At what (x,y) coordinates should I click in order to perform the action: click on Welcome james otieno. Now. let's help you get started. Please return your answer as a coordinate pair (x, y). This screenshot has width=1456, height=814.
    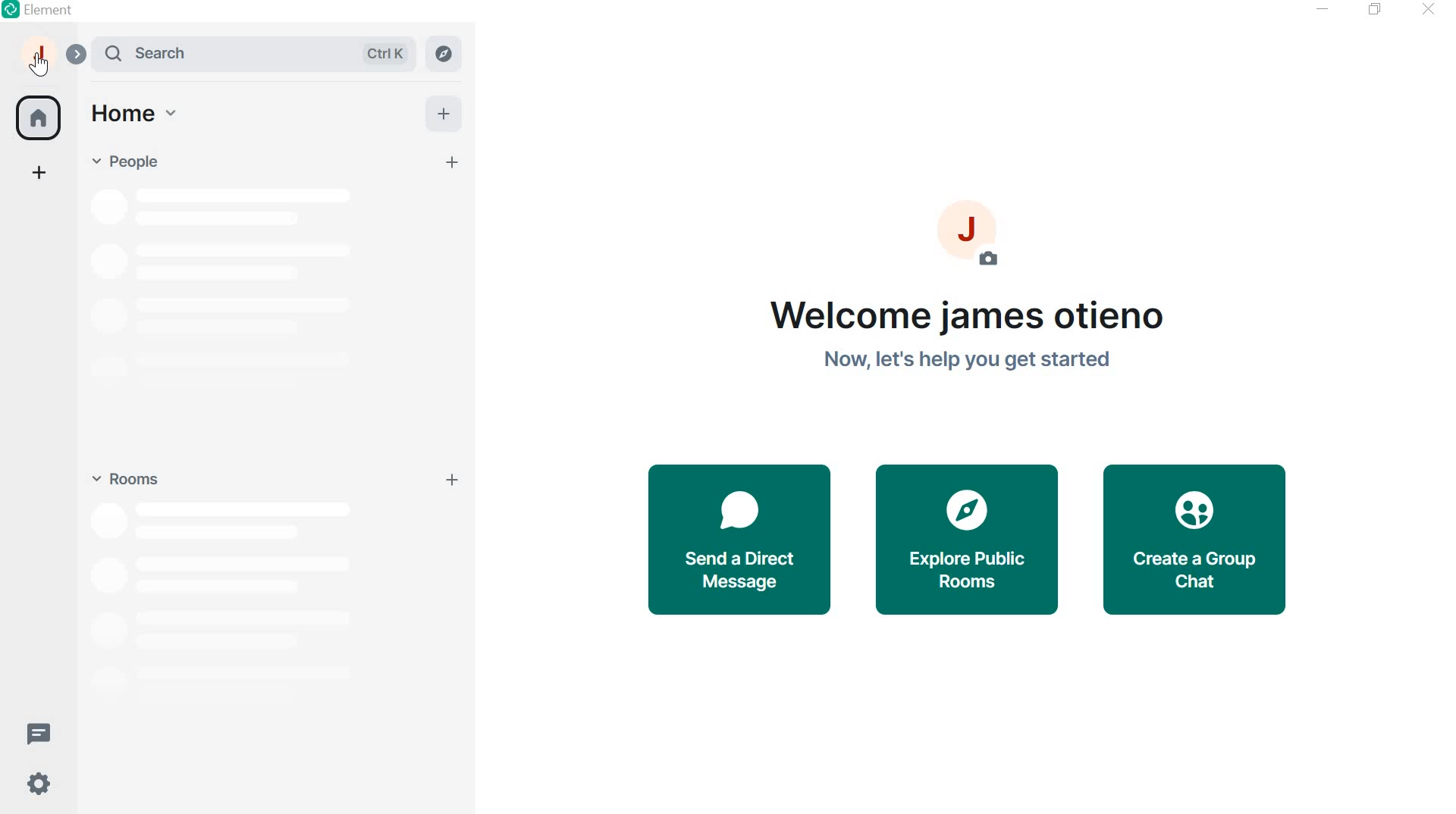
    Looking at the image, I should click on (963, 335).